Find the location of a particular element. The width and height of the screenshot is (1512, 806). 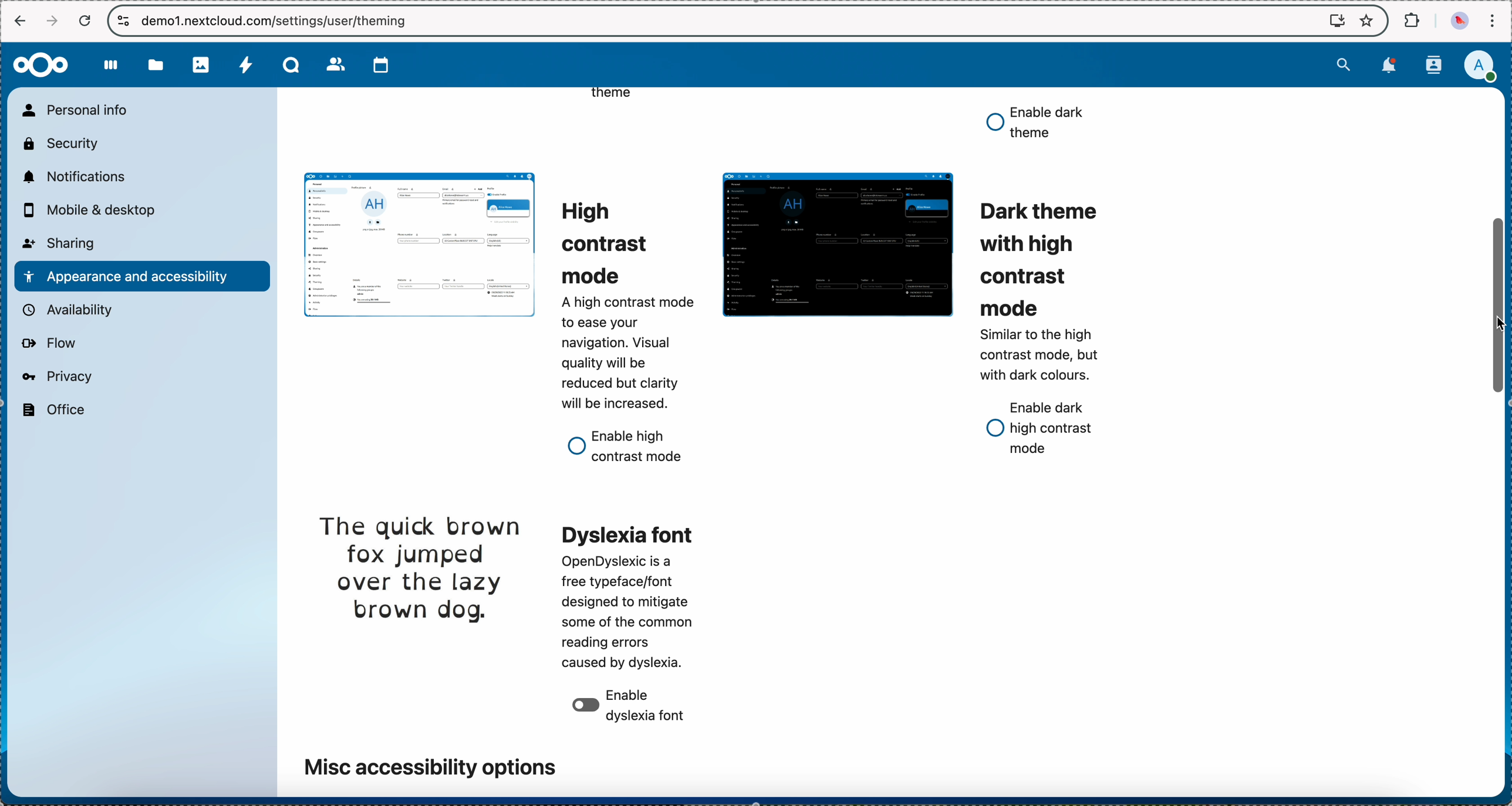

office is located at coordinates (54, 411).